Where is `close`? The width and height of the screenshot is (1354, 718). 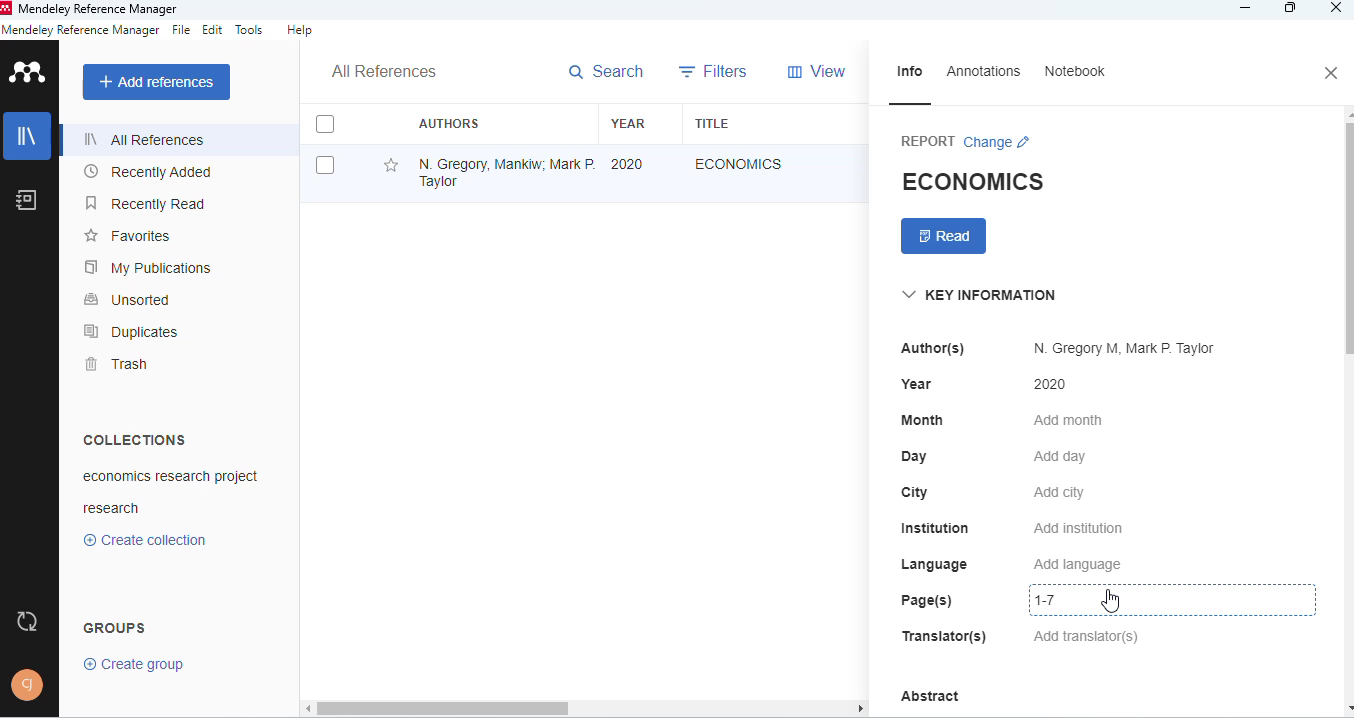
close is located at coordinates (1337, 8).